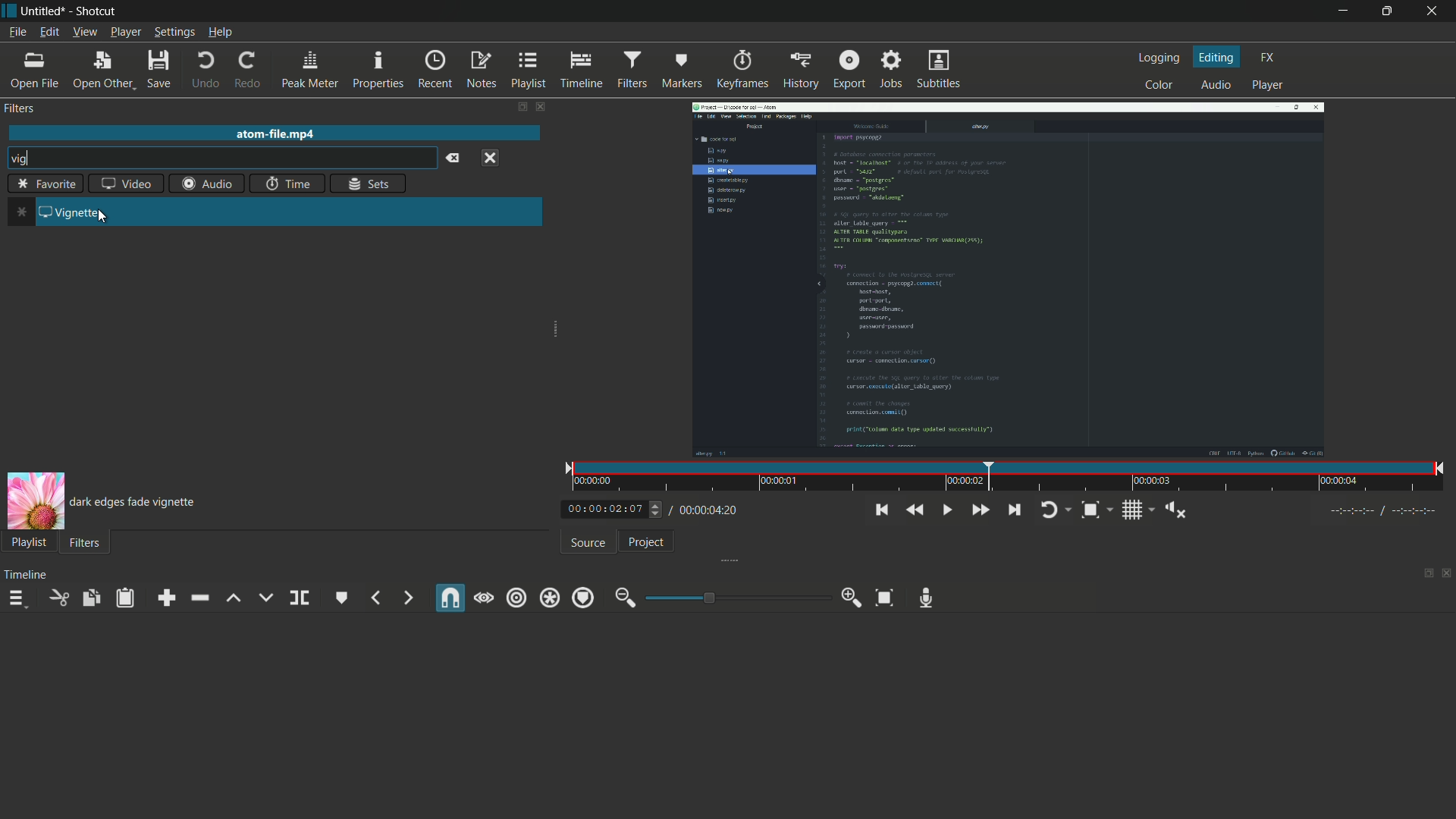 This screenshot has height=819, width=1456. What do you see at coordinates (743, 71) in the screenshot?
I see `keyframes` at bounding box center [743, 71].